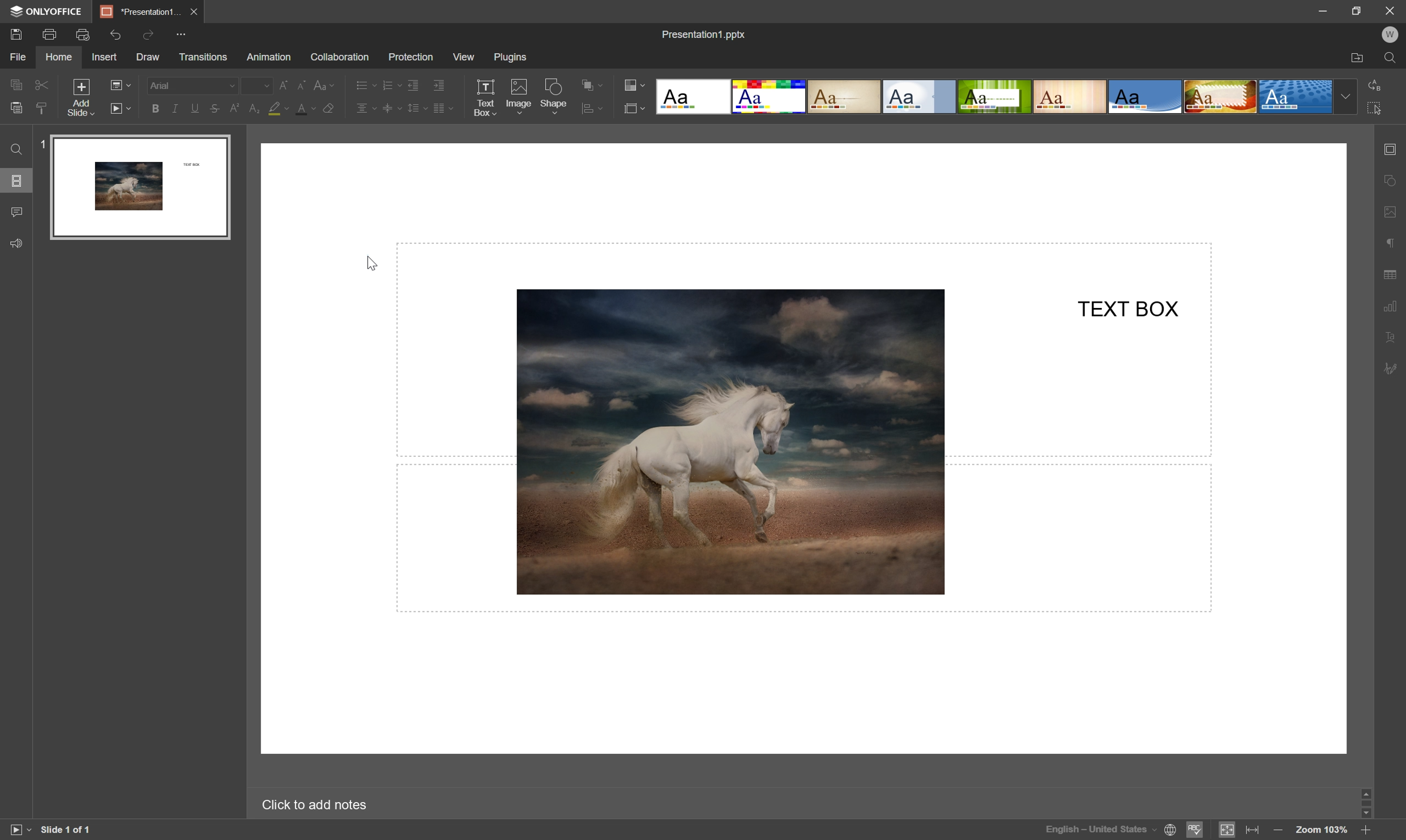 The height and width of the screenshot is (840, 1406). I want to click on home, so click(58, 58).